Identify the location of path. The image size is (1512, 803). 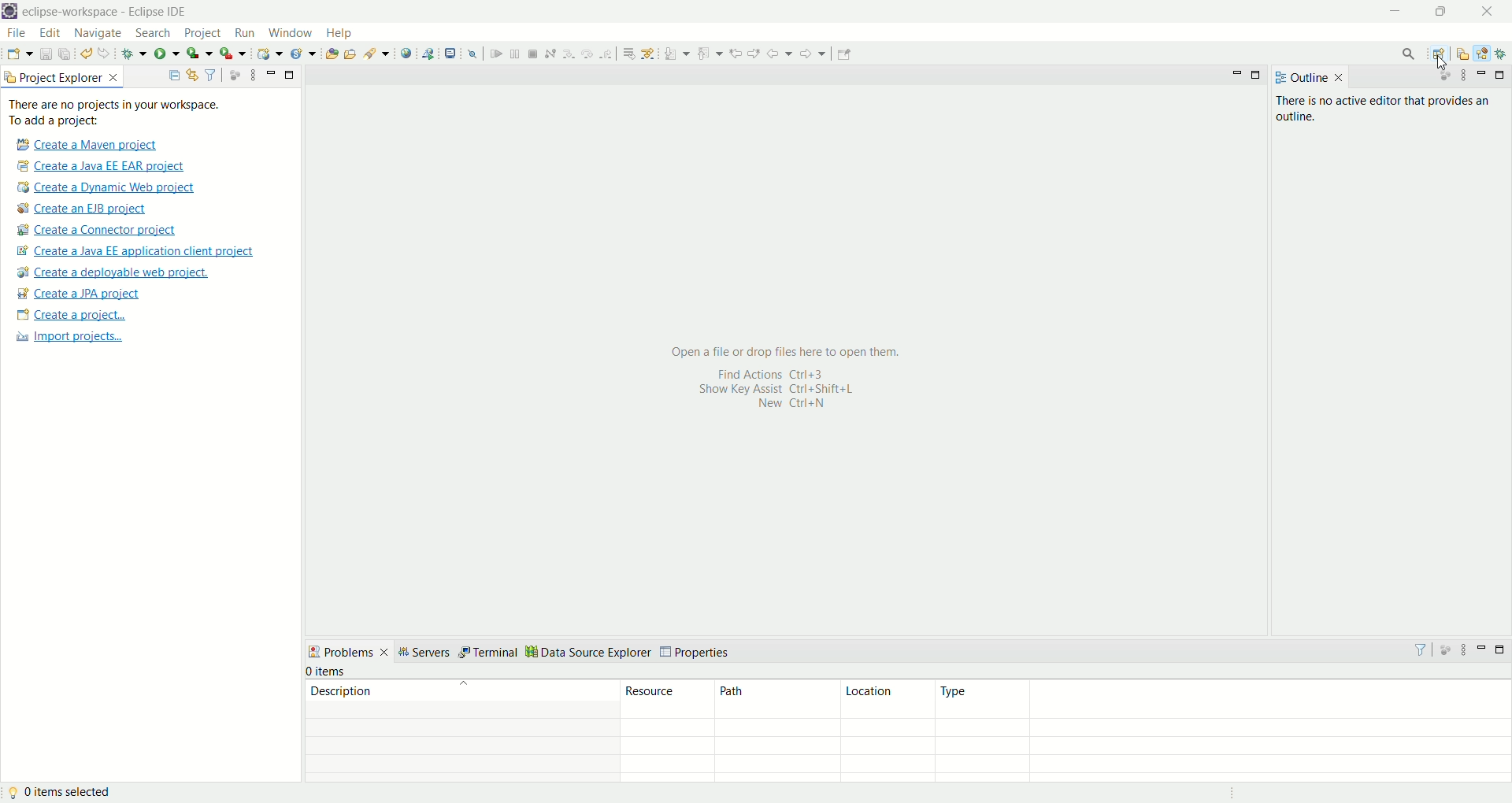
(777, 730).